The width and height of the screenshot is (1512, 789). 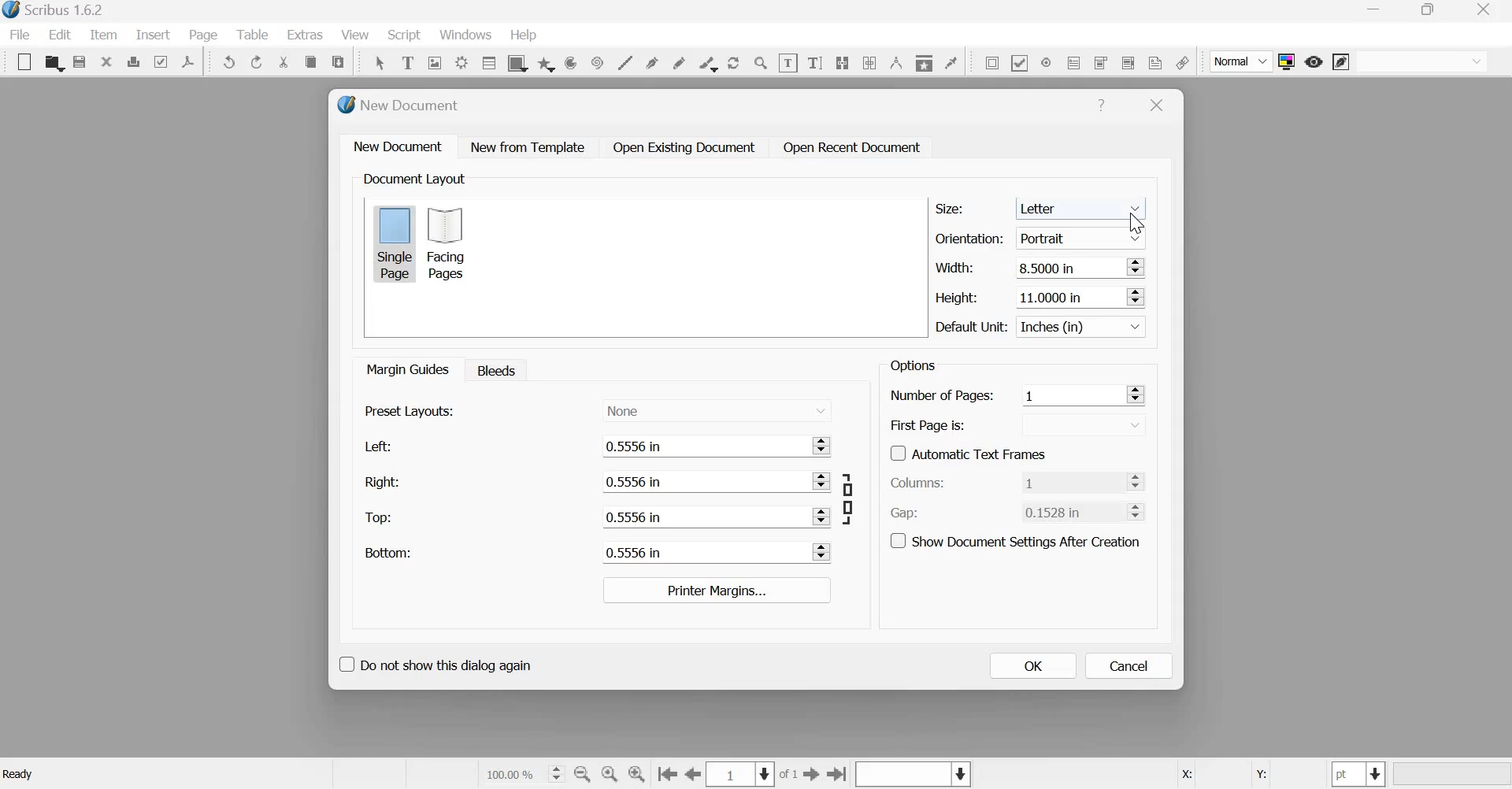 I want to click on New, so click(x=20, y=62).